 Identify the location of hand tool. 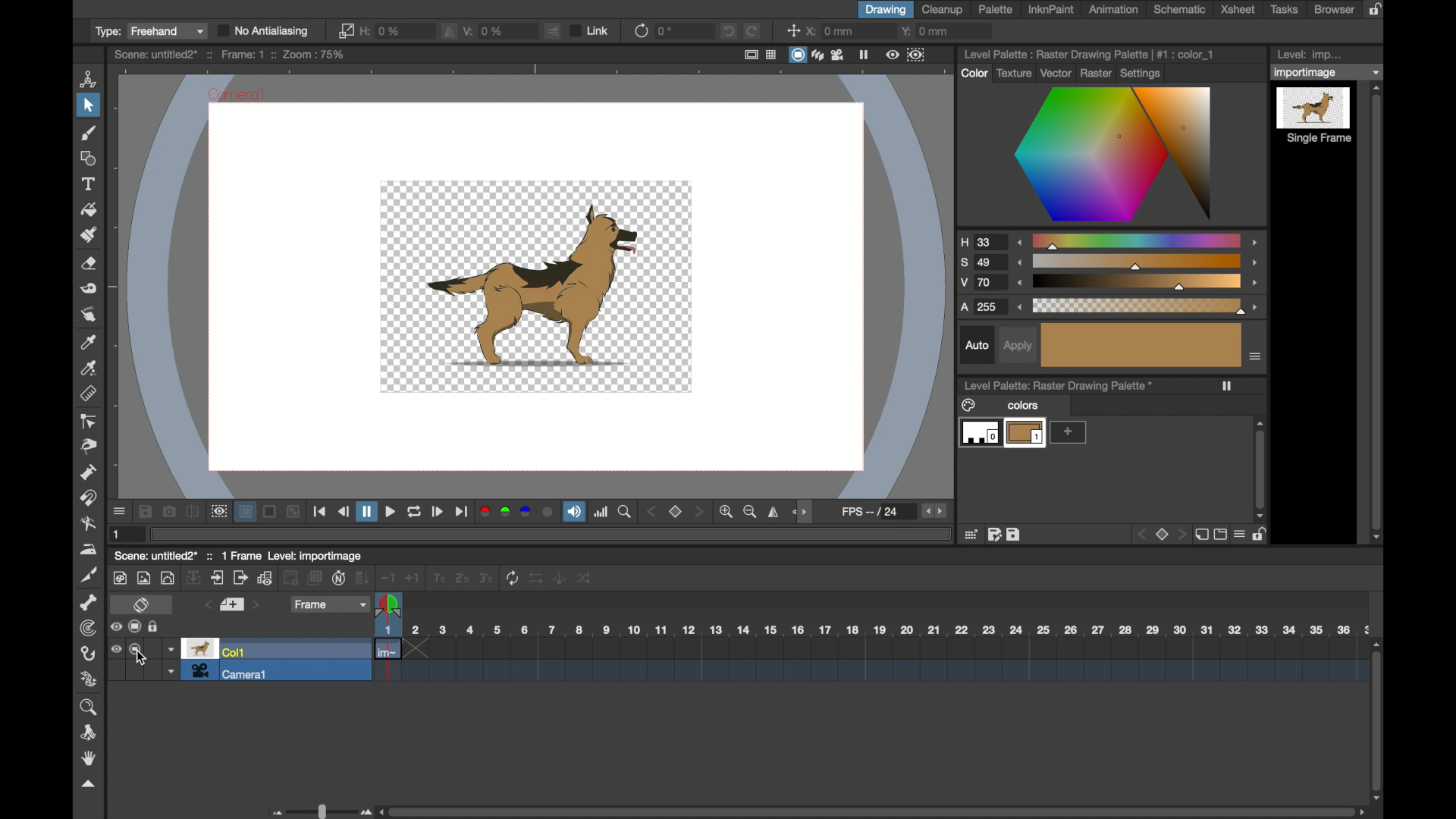
(87, 758).